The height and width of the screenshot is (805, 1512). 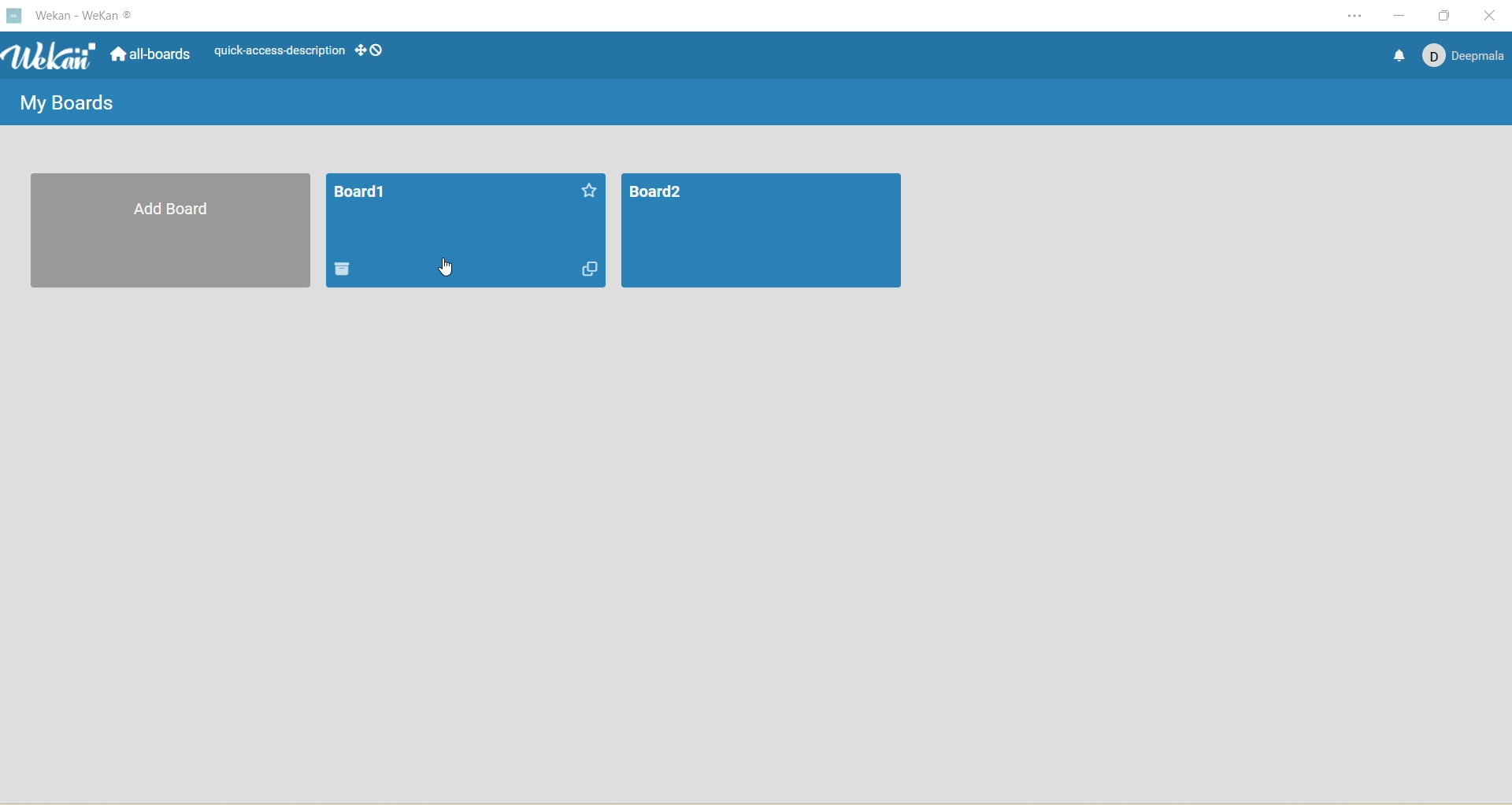 What do you see at coordinates (762, 231) in the screenshot?
I see `board2` at bounding box center [762, 231].